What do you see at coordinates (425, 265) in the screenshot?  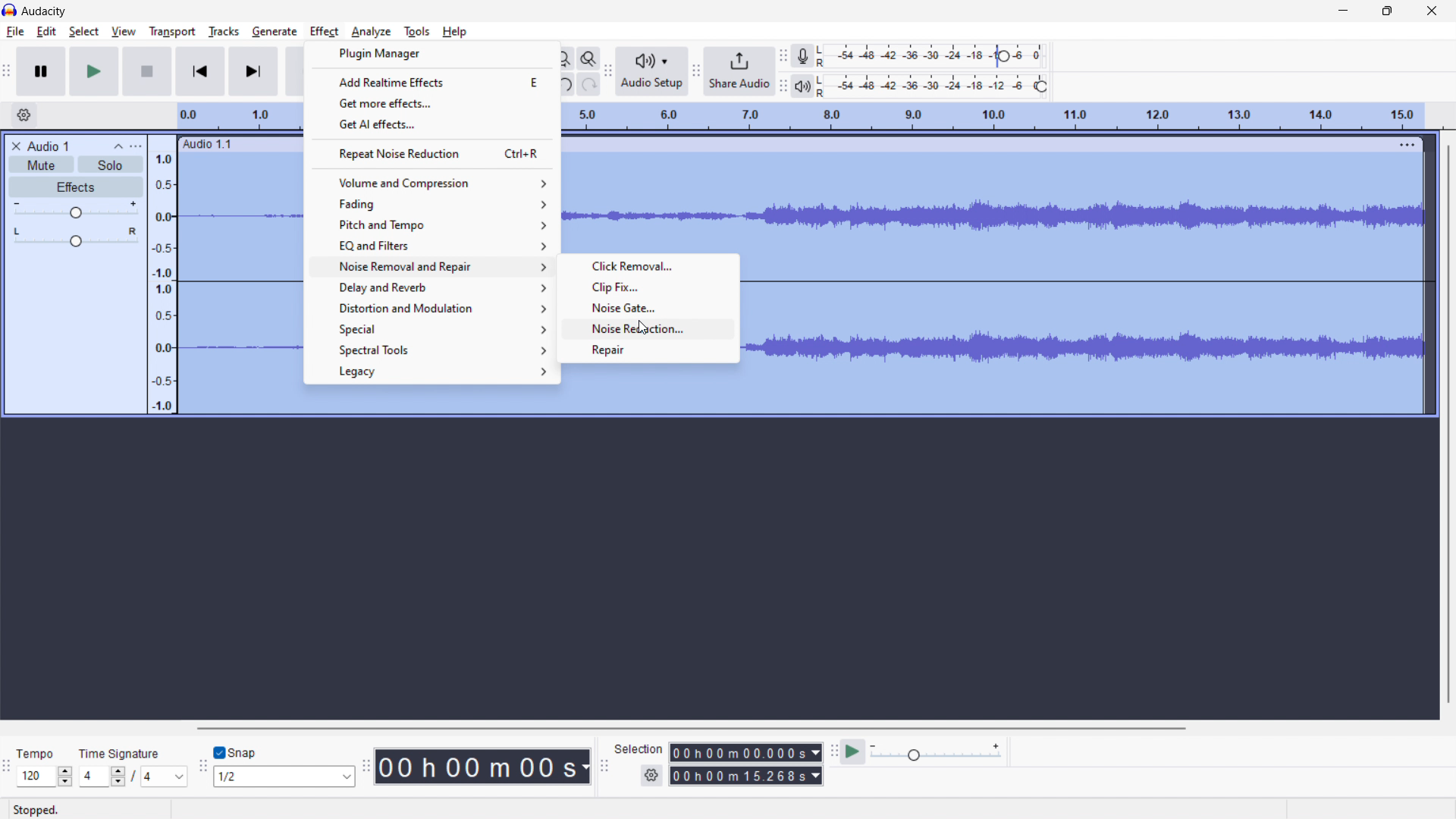 I see `distortion and modulation` at bounding box center [425, 265].